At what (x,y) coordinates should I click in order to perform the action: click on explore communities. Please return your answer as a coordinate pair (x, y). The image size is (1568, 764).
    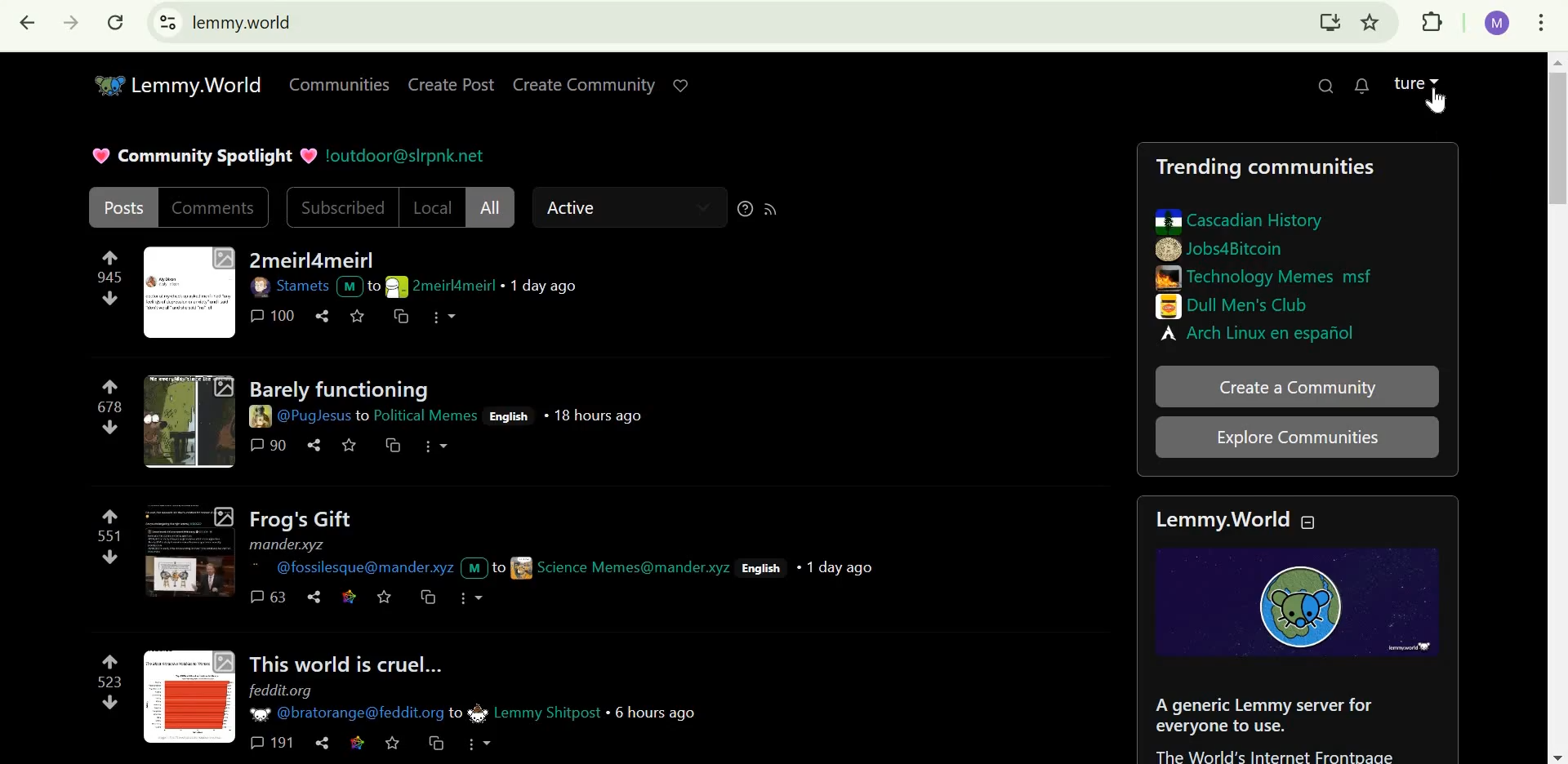
    Looking at the image, I should click on (1297, 438).